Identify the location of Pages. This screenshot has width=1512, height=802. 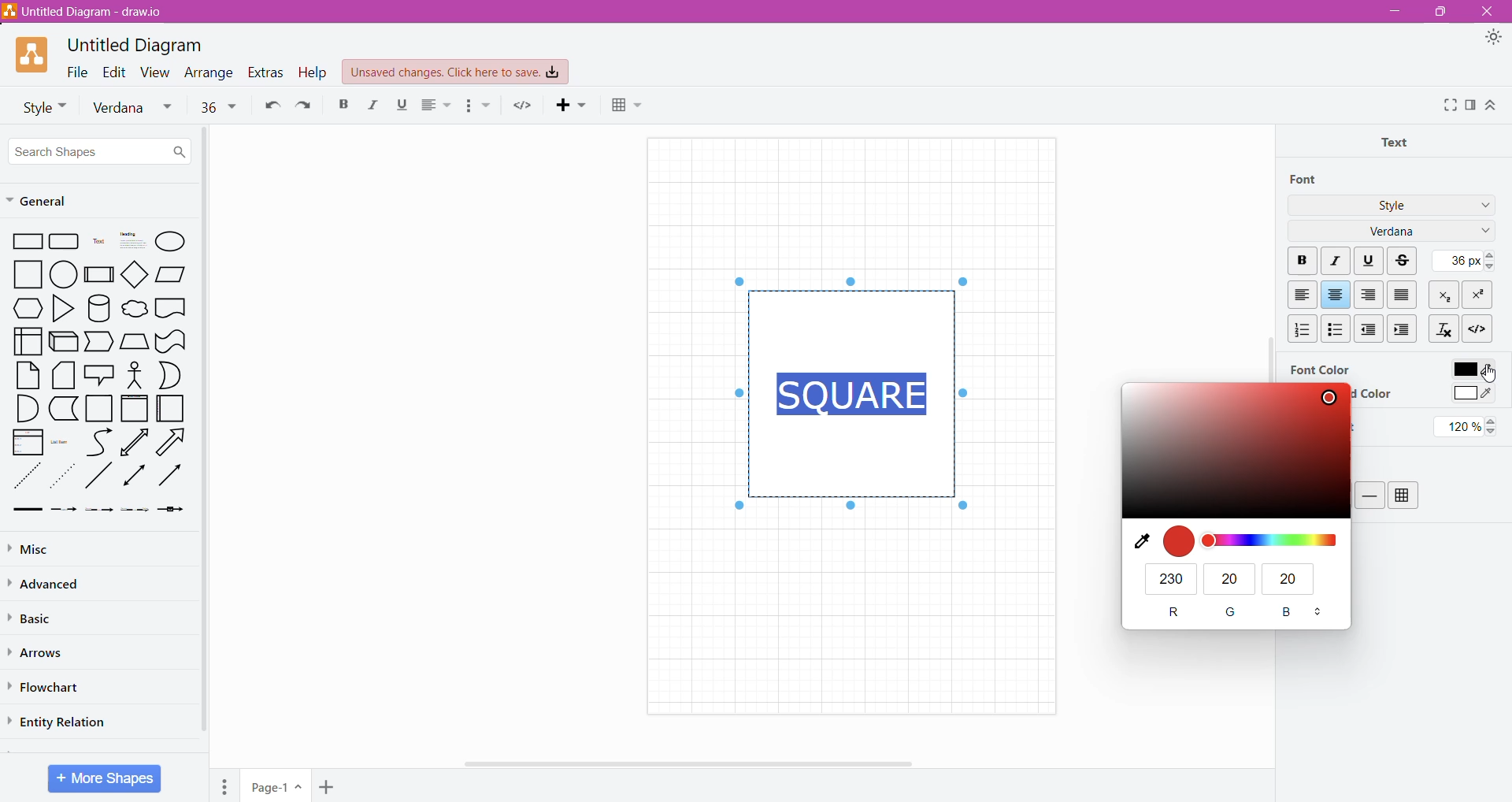
(225, 786).